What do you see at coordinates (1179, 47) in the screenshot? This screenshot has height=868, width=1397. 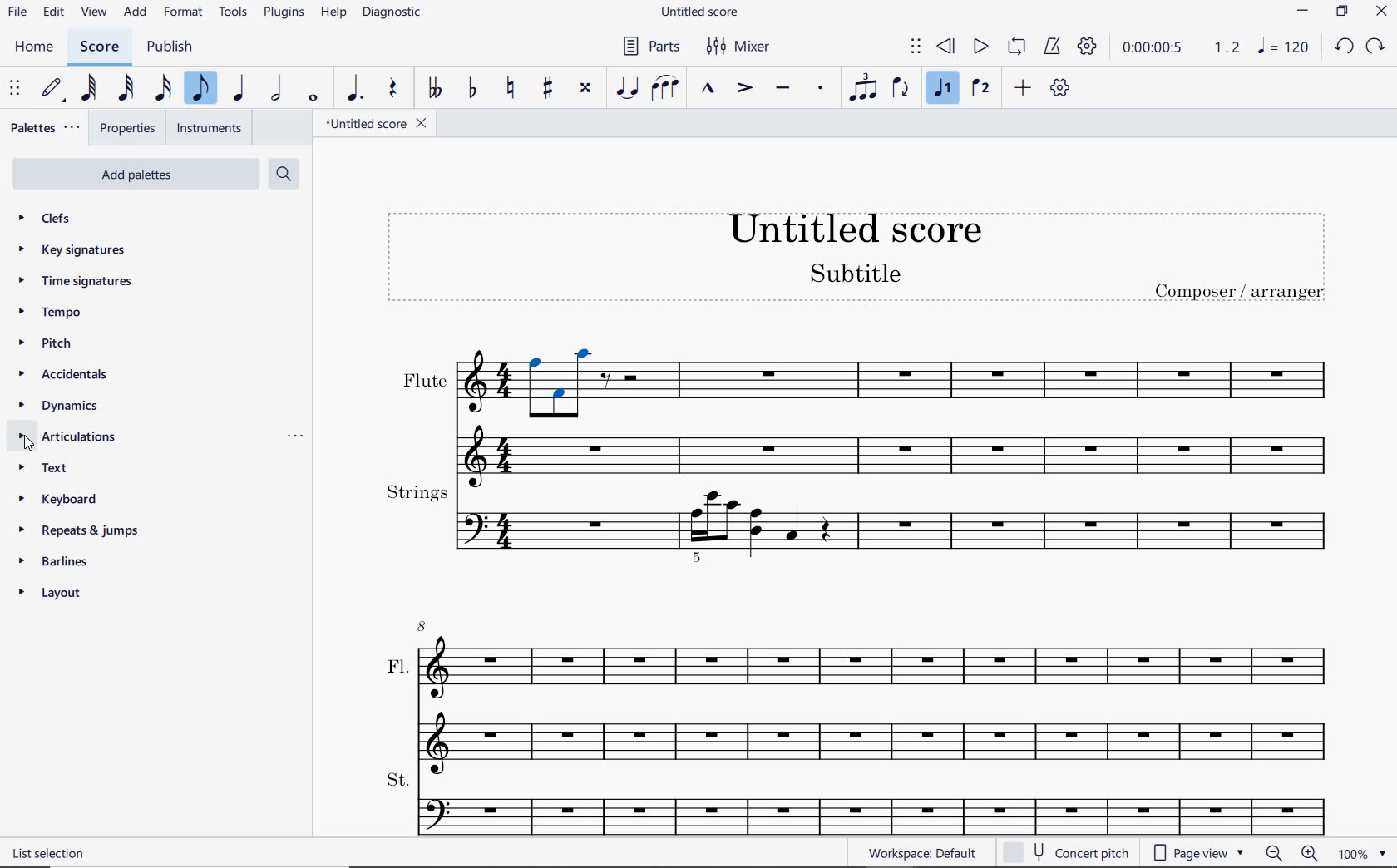 I see `PLAY TIME` at bounding box center [1179, 47].